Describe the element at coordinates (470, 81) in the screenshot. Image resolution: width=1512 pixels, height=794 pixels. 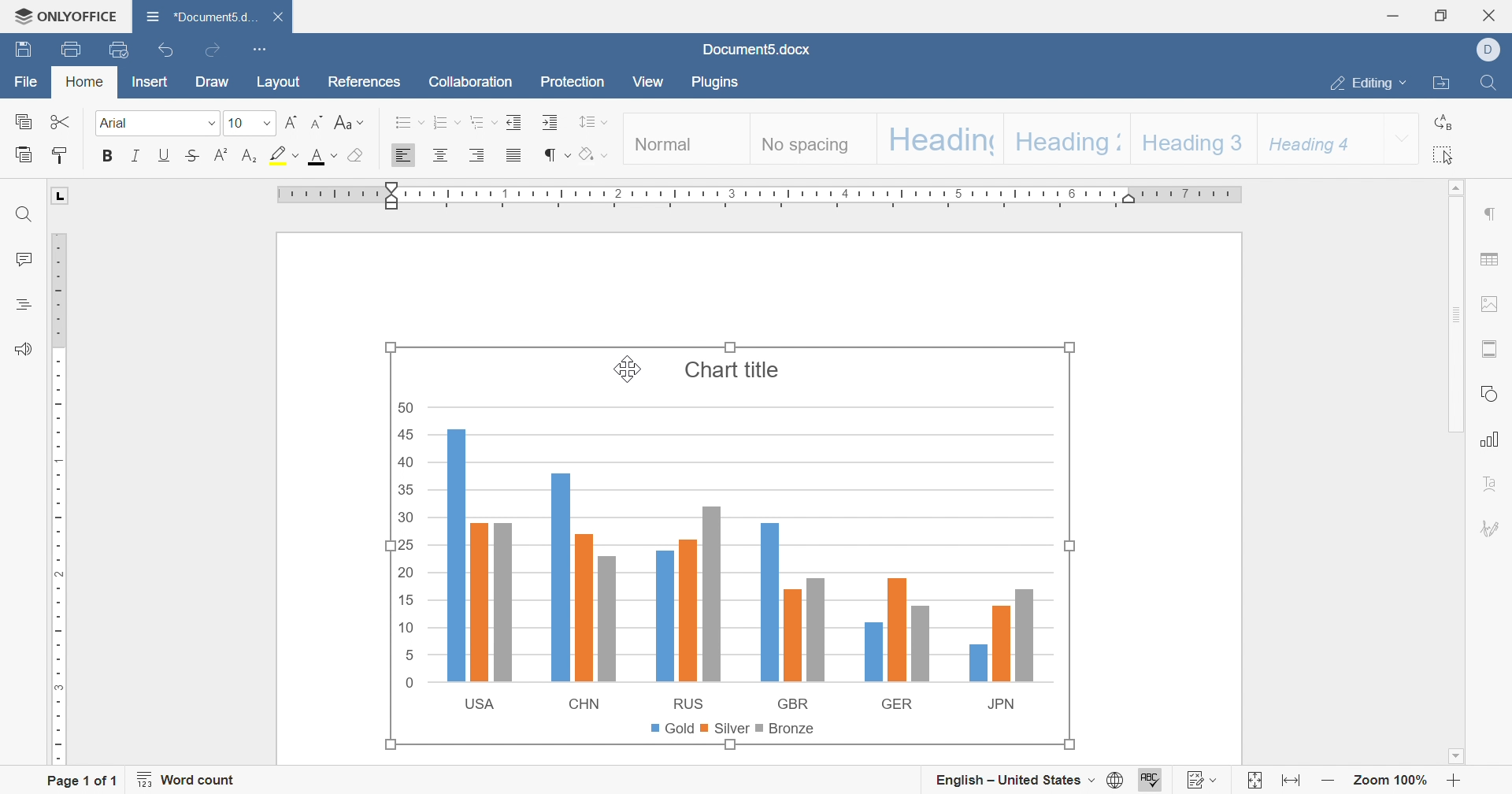
I see `collaboration` at that location.